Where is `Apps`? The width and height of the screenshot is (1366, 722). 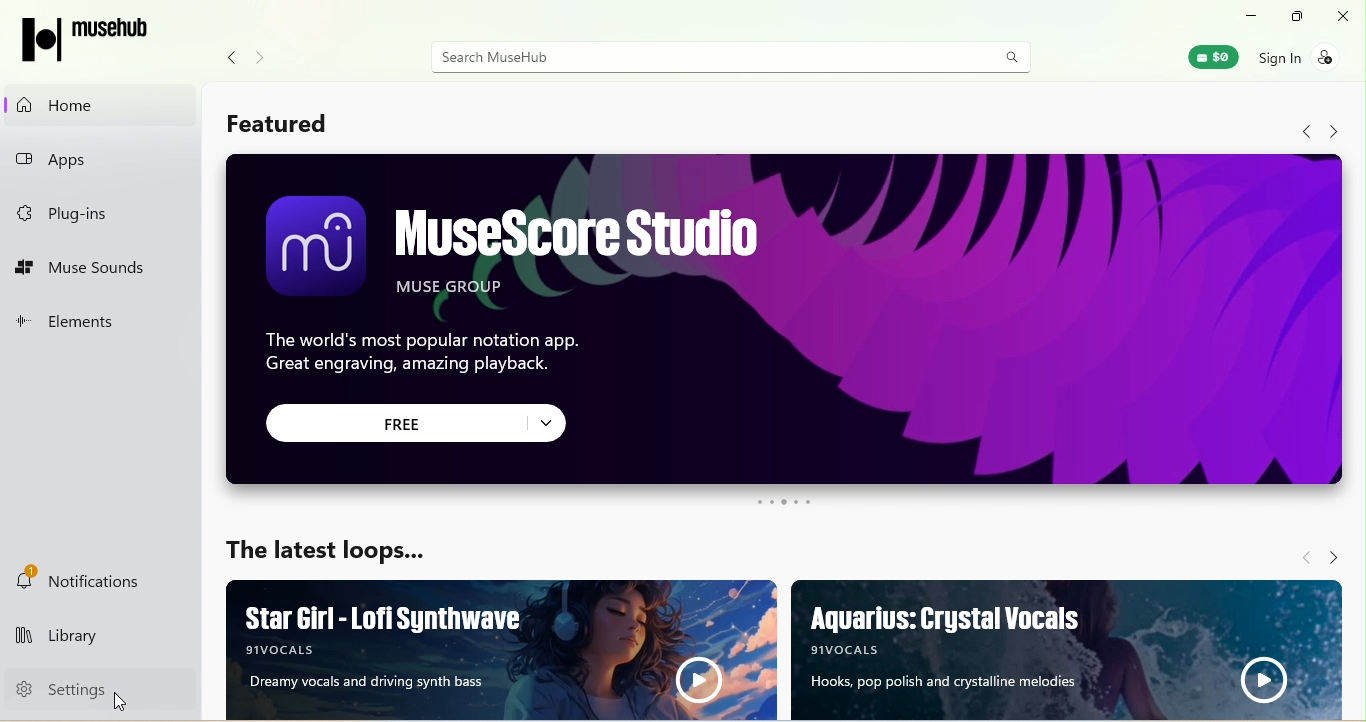 Apps is located at coordinates (79, 155).